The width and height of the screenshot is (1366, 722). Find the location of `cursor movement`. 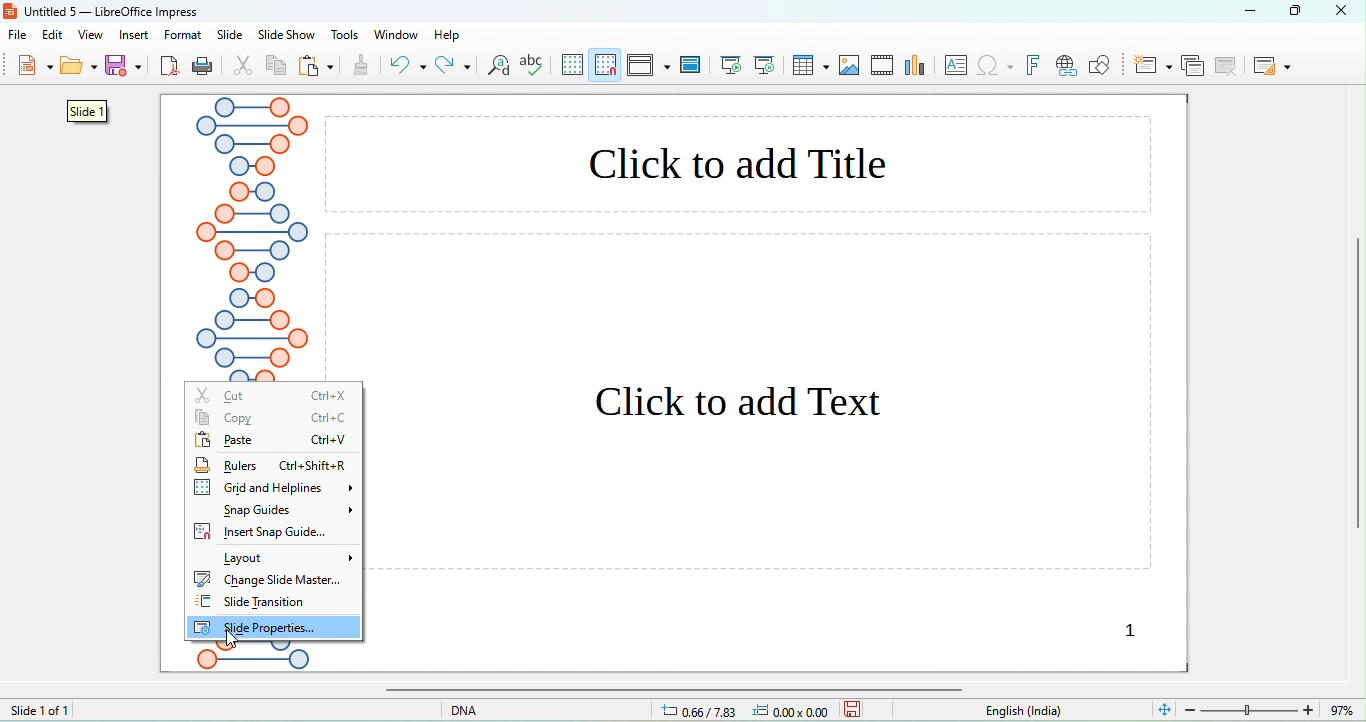

cursor movement is located at coordinates (233, 645).